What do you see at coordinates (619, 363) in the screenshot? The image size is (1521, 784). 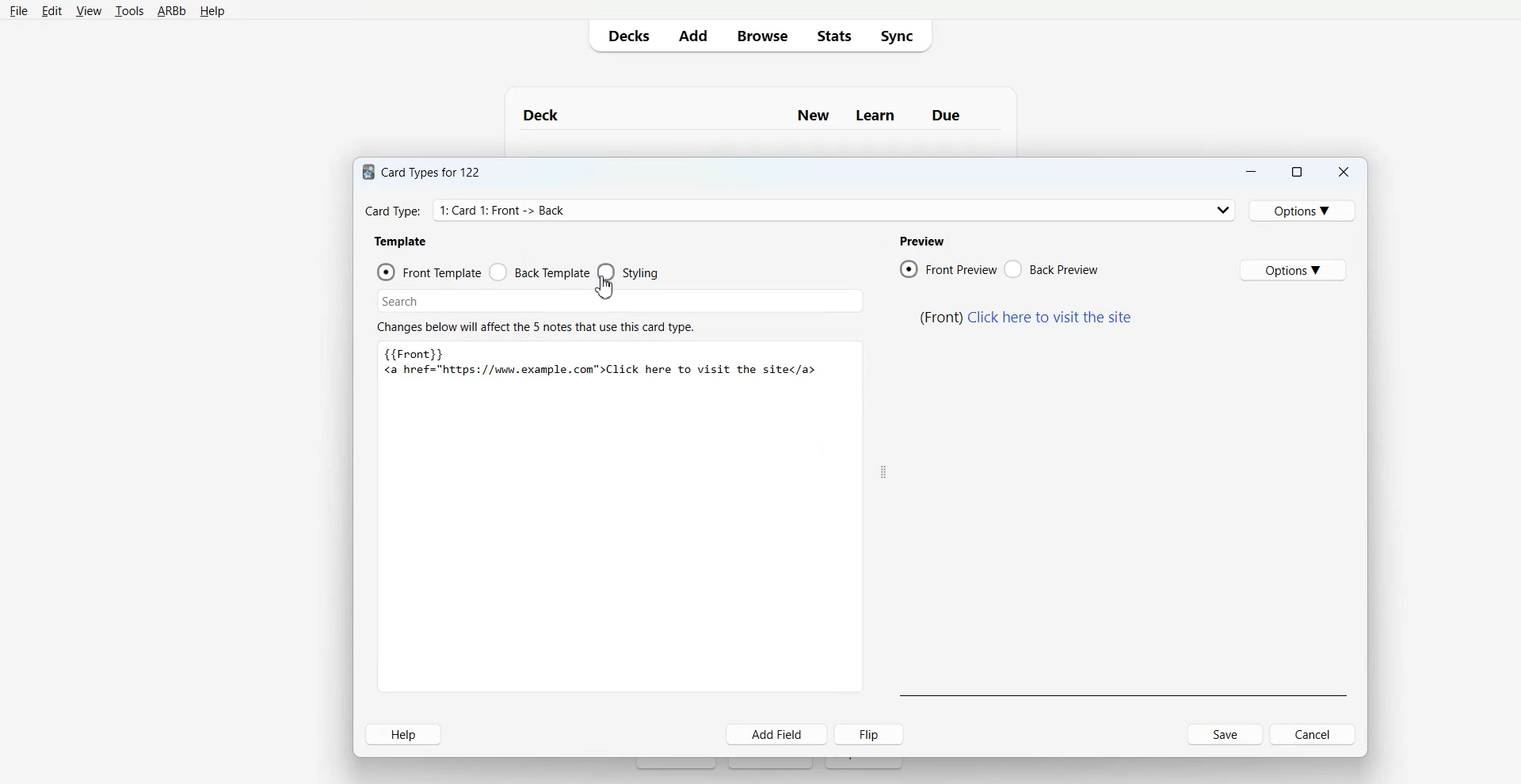 I see `text 4` at bounding box center [619, 363].